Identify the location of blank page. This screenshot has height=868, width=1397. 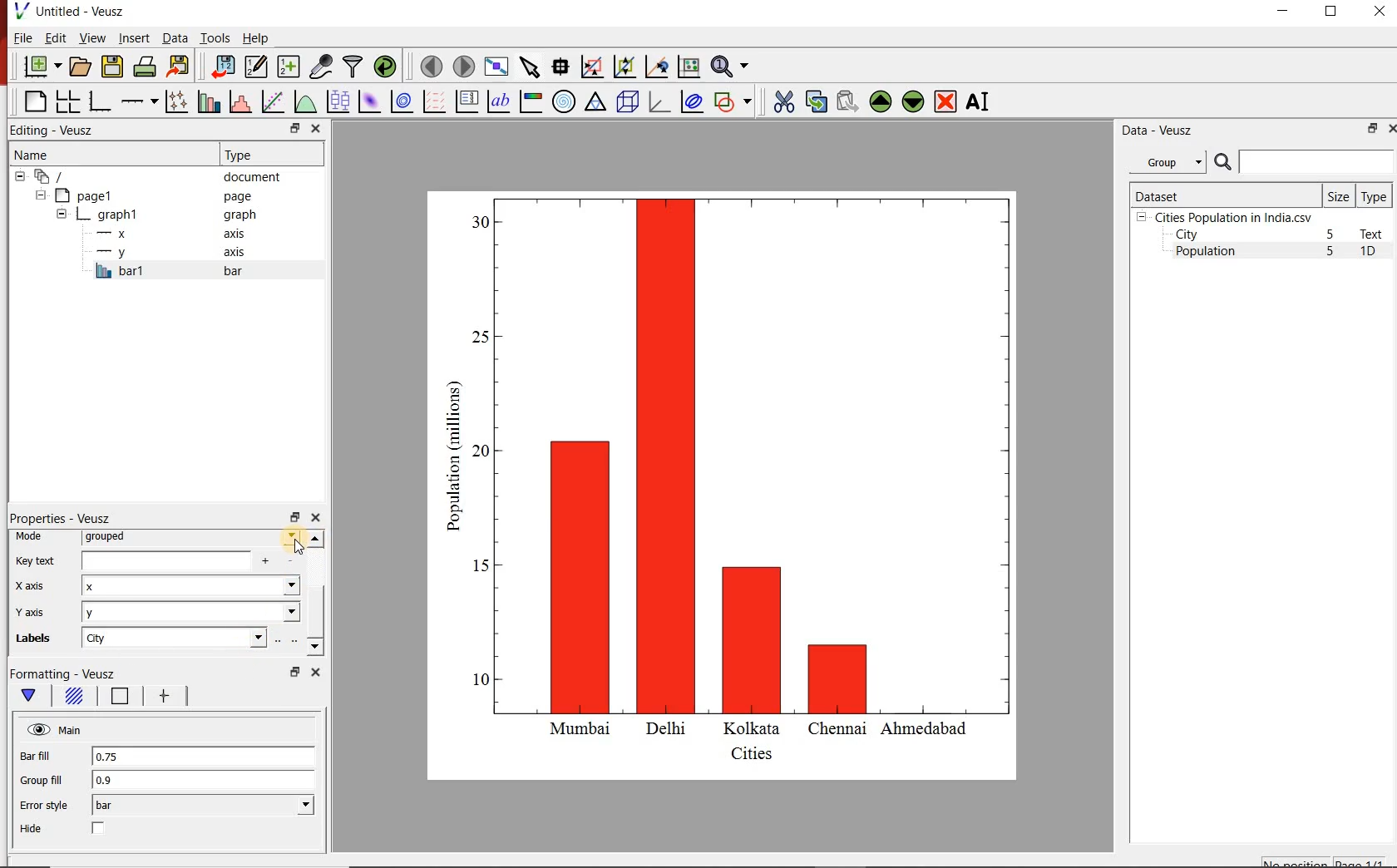
(33, 102).